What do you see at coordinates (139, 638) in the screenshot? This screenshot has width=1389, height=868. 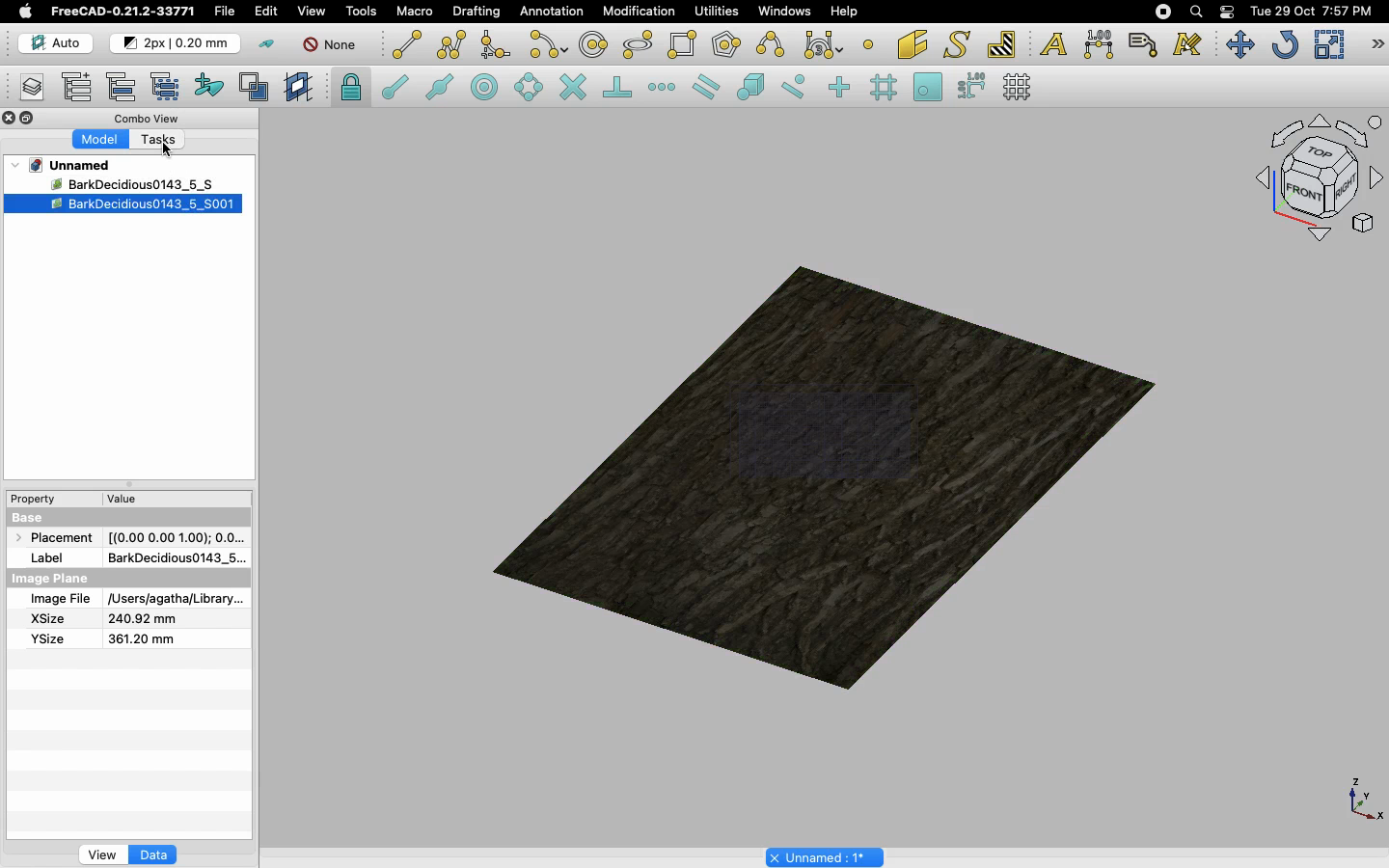 I see `361.20 mm` at bounding box center [139, 638].